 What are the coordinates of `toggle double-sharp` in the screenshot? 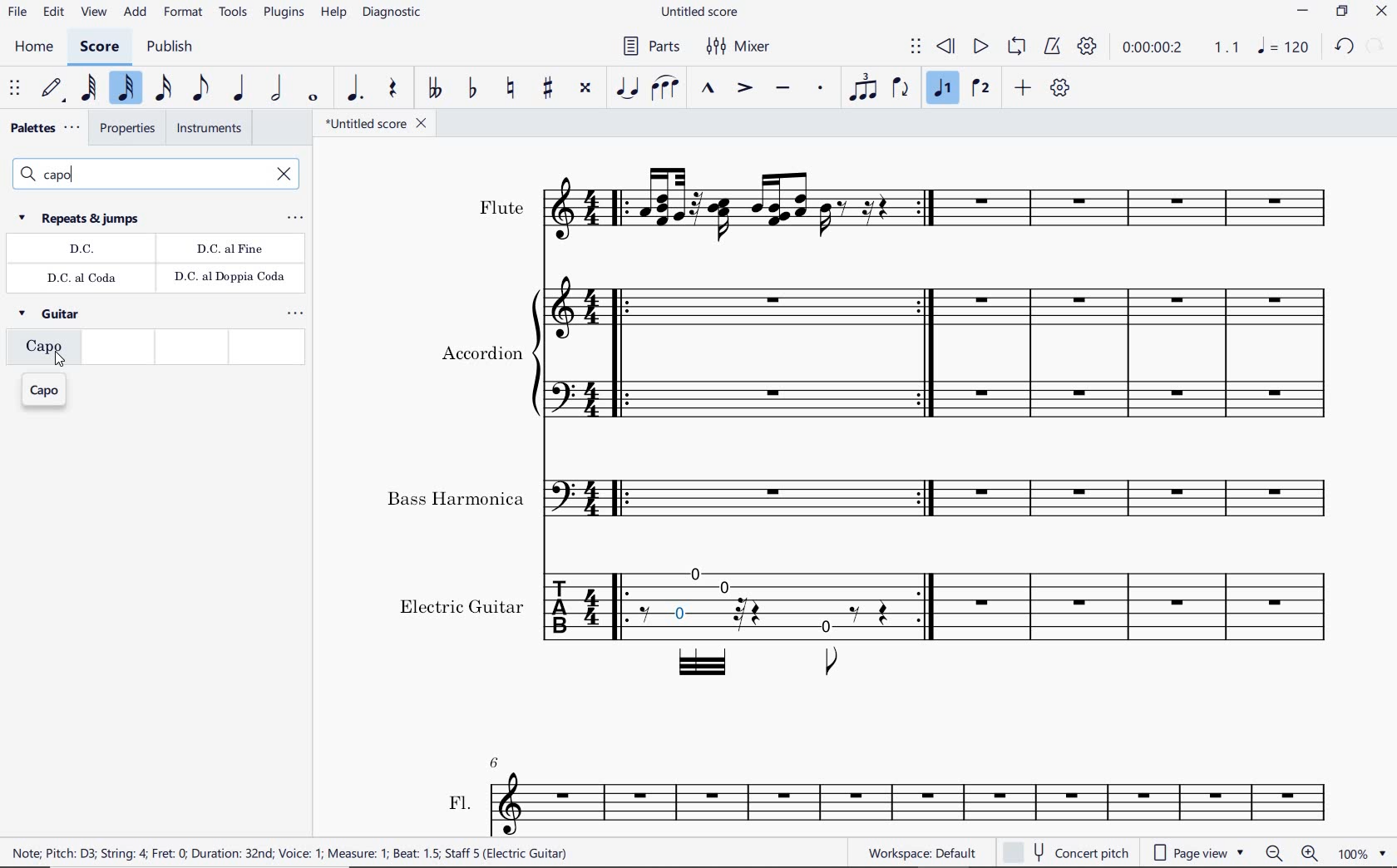 It's located at (587, 88).